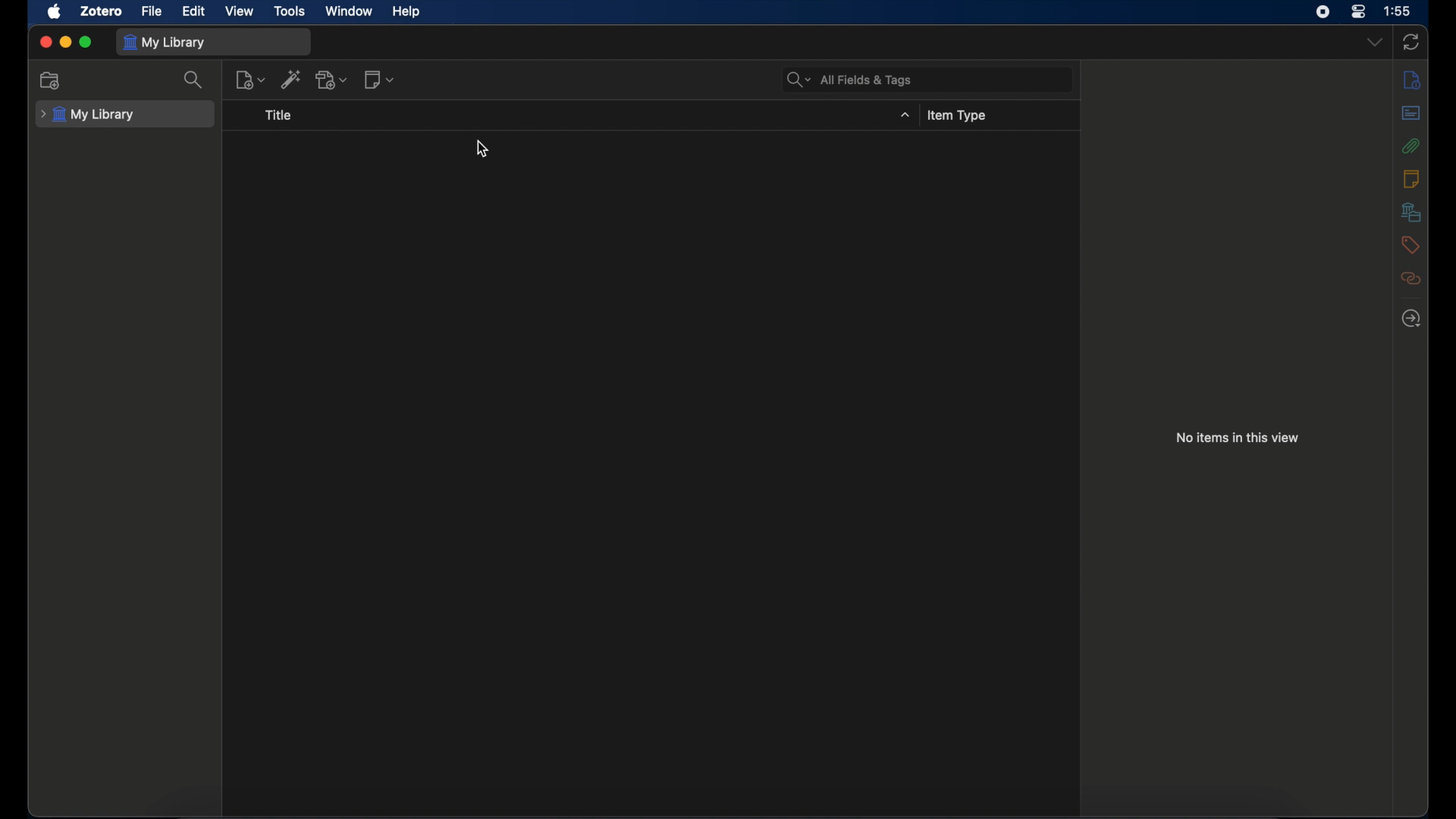 This screenshot has width=1456, height=819. What do you see at coordinates (88, 112) in the screenshot?
I see `my library` at bounding box center [88, 112].